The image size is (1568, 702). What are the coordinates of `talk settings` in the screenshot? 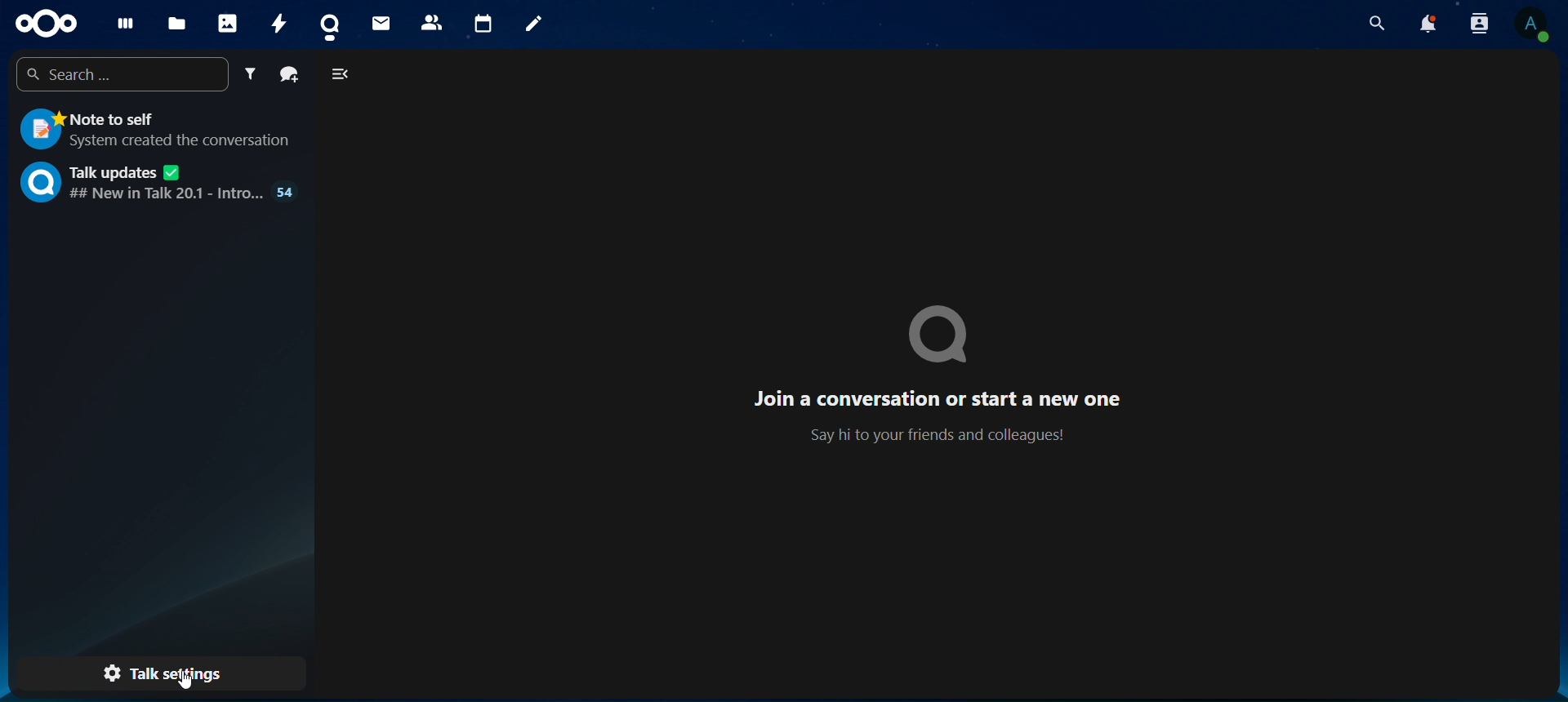 It's located at (160, 673).